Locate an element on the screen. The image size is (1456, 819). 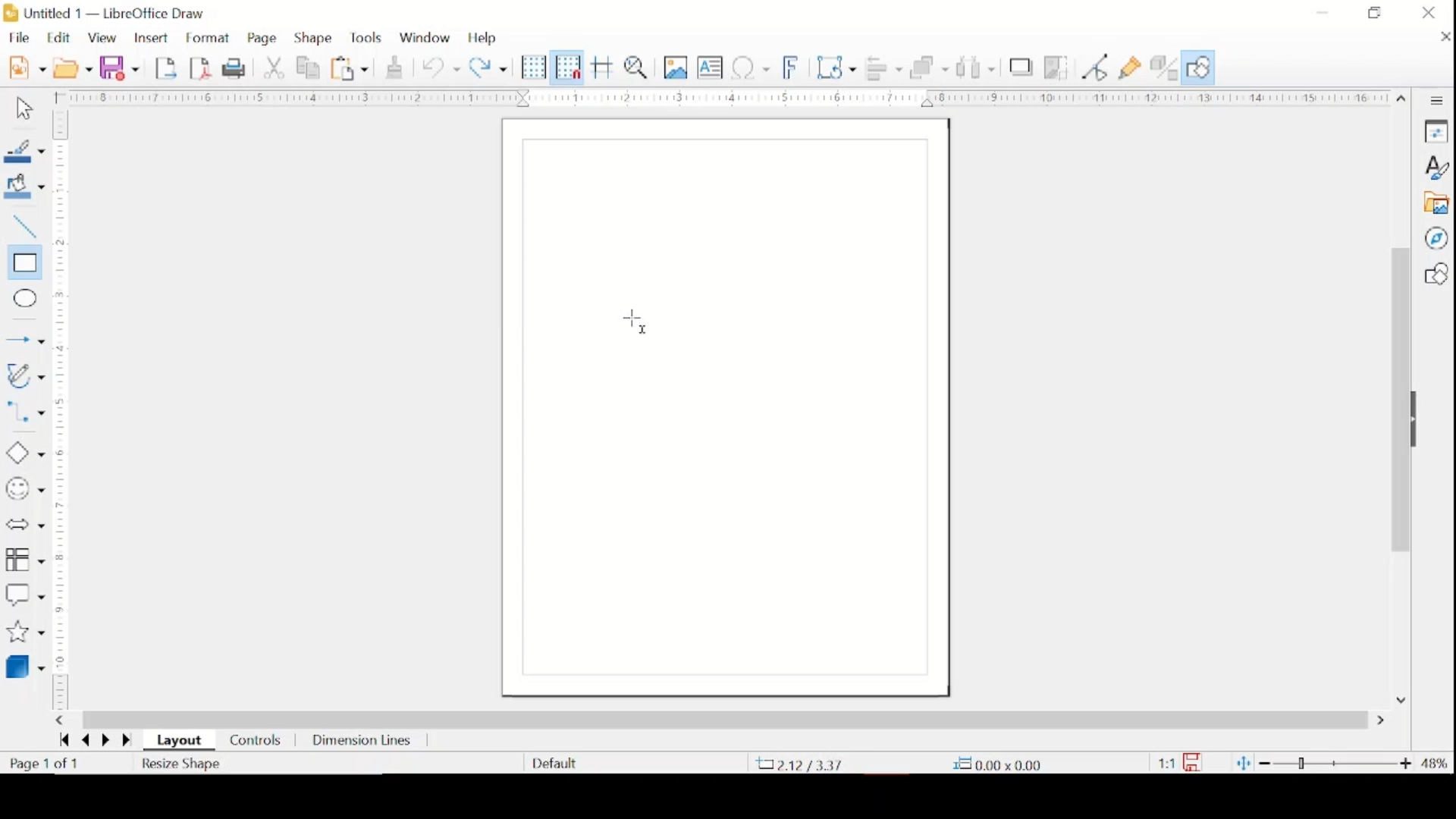
page is located at coordinates (264, 39).